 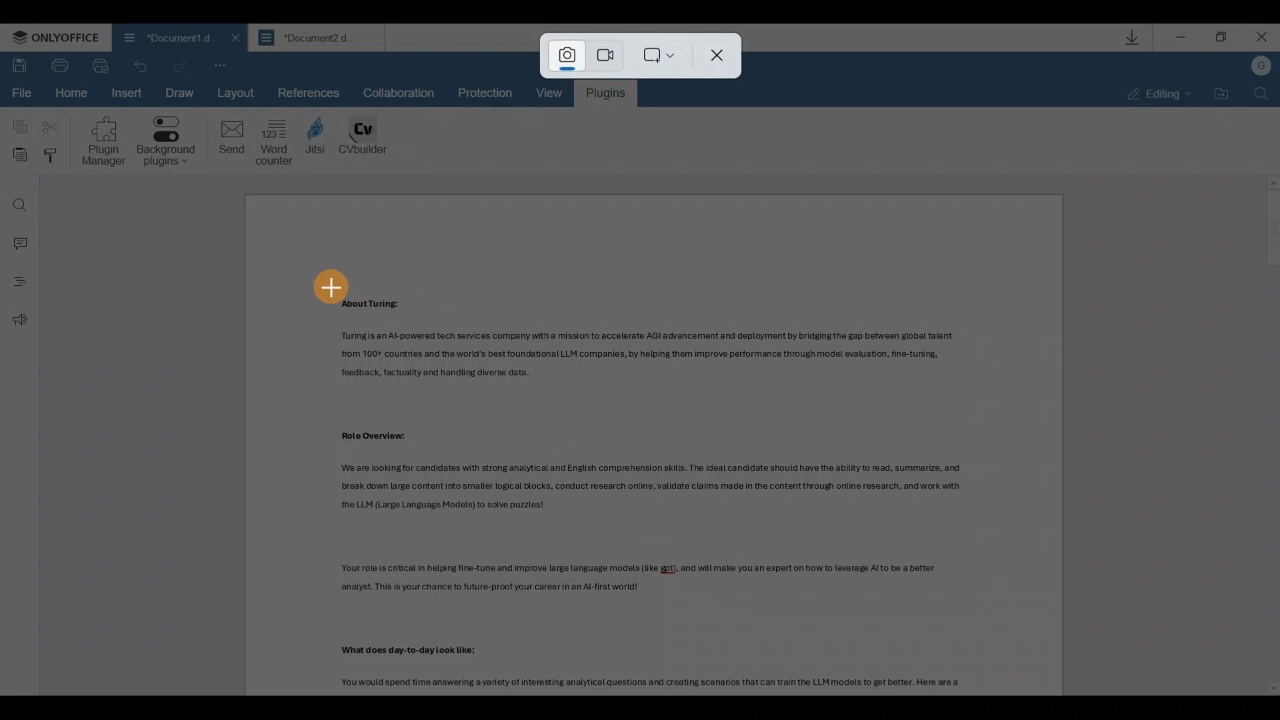 I want to click on Comment, so click(x=18, y=243).